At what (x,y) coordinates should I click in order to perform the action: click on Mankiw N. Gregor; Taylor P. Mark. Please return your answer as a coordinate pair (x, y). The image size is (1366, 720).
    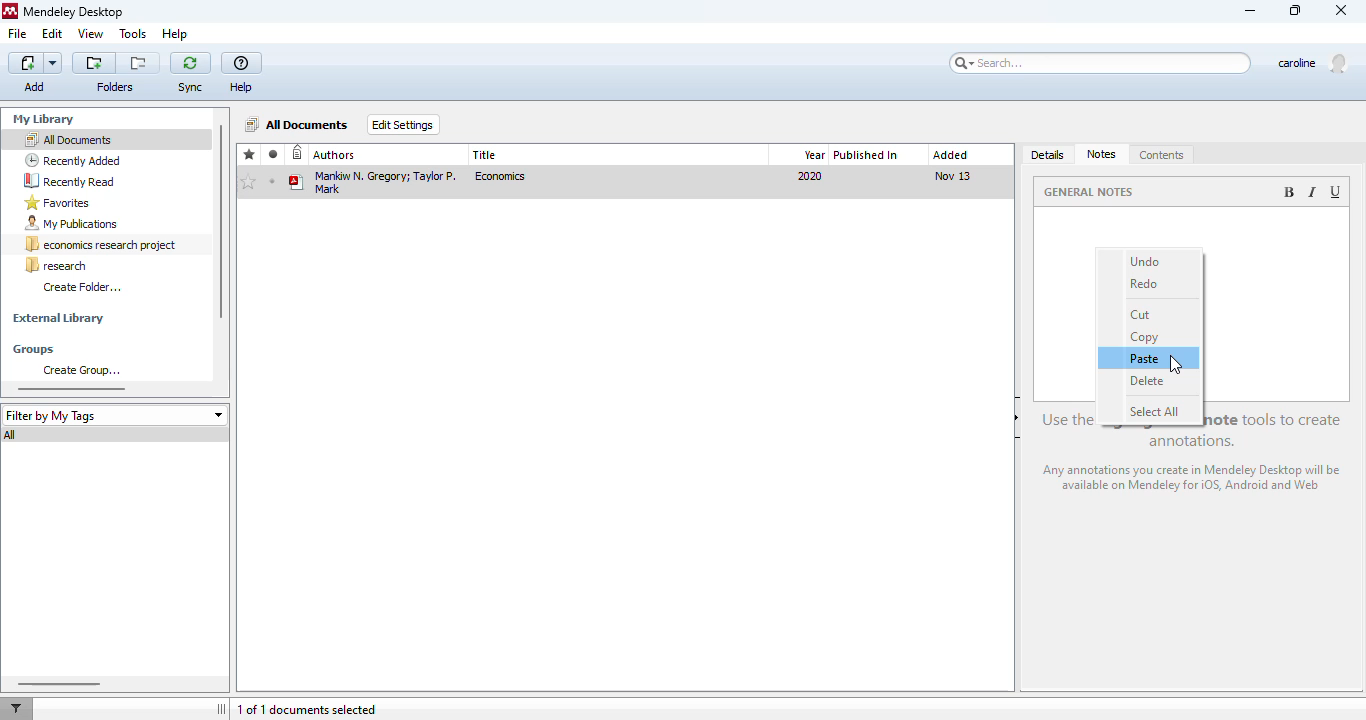
    Looking at the image, I should click on (374, 181).